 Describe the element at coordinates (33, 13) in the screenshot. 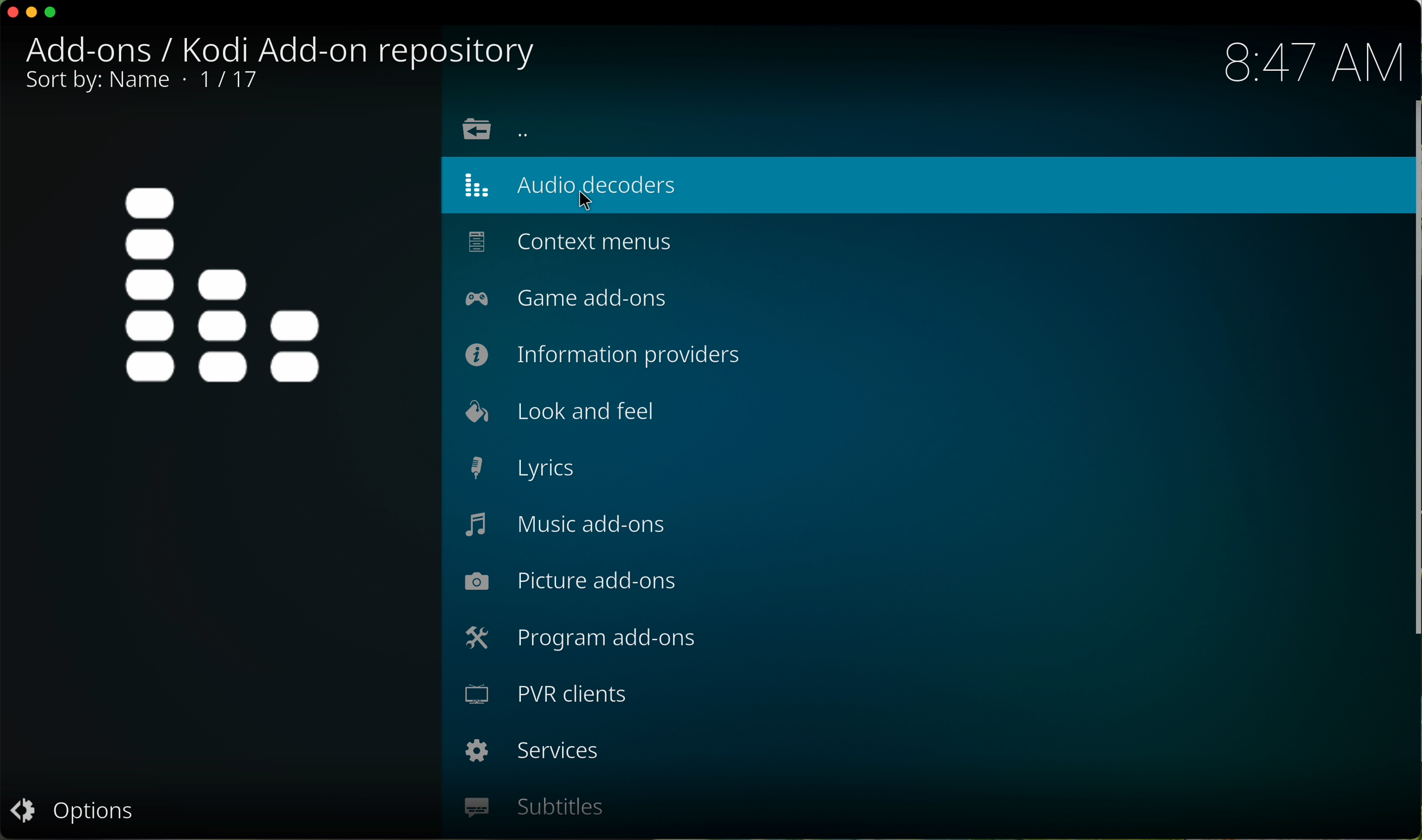

I see `minimize program` at that location.